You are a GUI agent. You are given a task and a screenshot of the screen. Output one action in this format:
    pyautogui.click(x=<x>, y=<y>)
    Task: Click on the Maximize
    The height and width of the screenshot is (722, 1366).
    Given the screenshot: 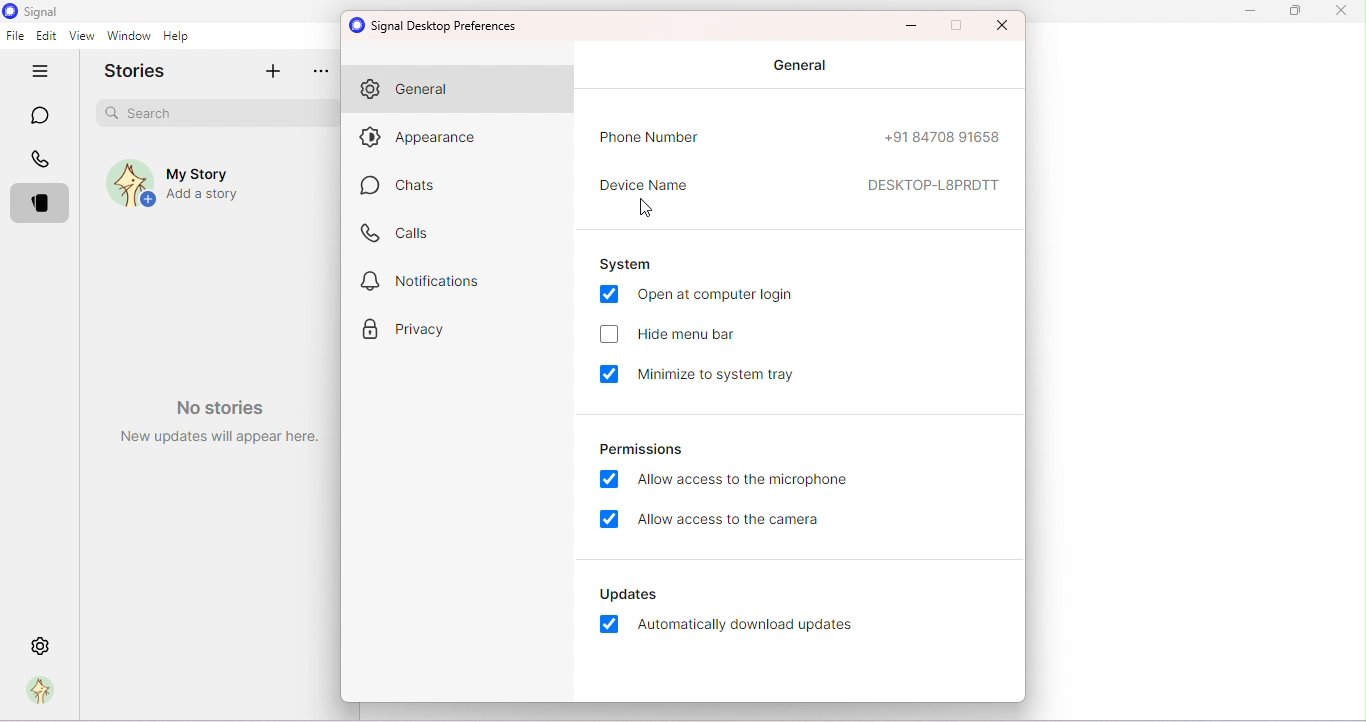 What is the action you would take?
    pyautogui.click(x=1297, y=12)
    